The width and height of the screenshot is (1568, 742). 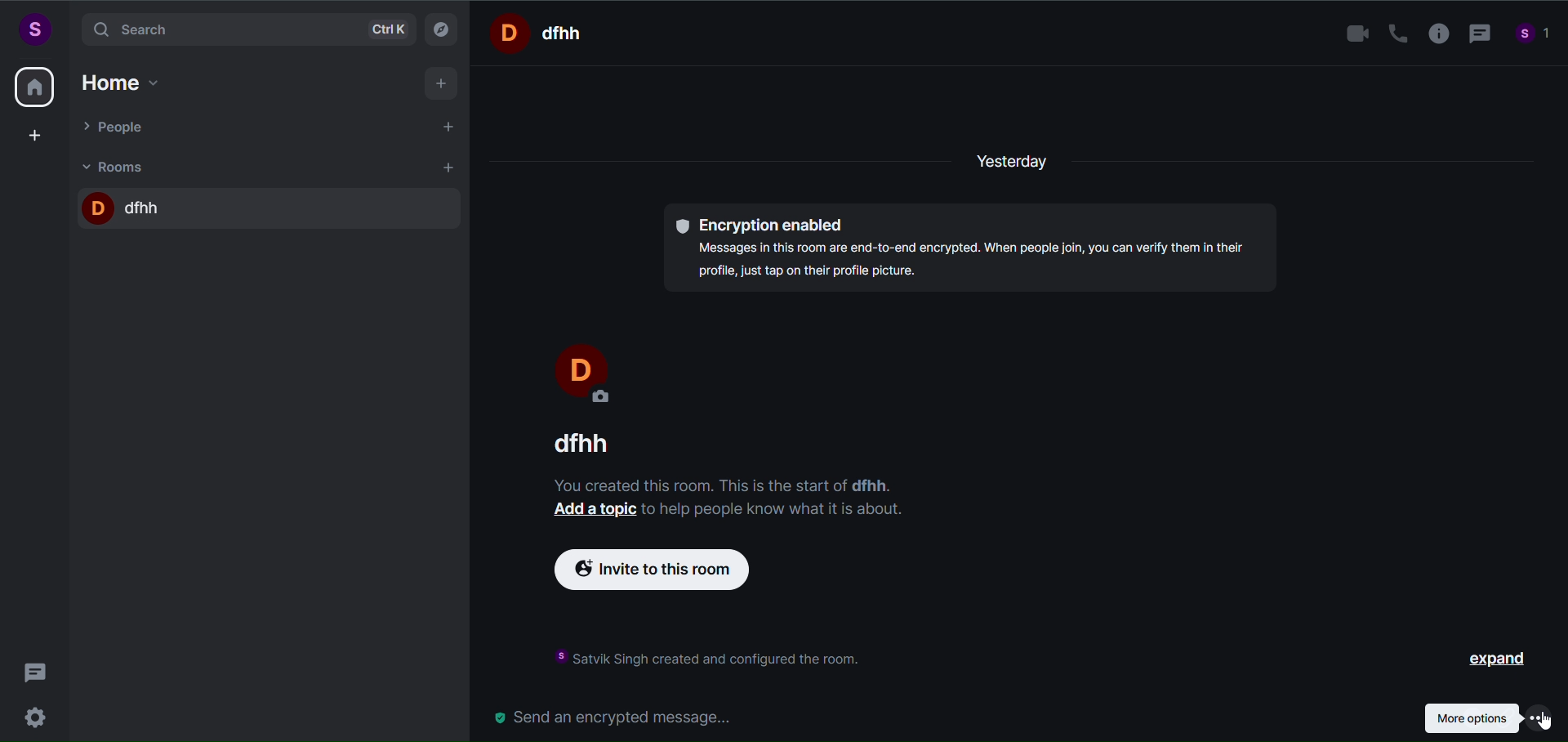 I want to click on threads , so click(x=36, y=668).